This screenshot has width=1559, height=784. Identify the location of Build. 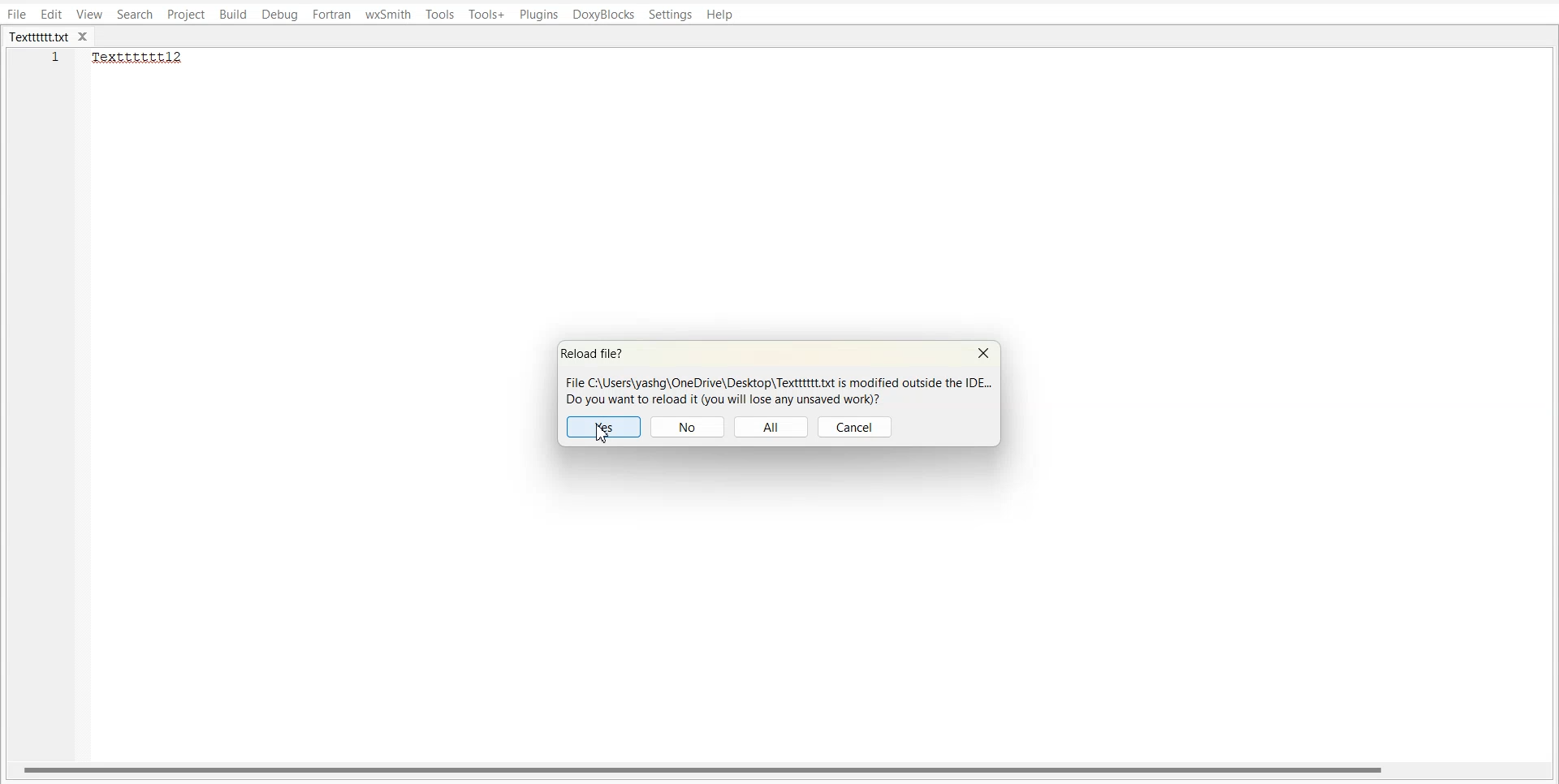
(233, 15).